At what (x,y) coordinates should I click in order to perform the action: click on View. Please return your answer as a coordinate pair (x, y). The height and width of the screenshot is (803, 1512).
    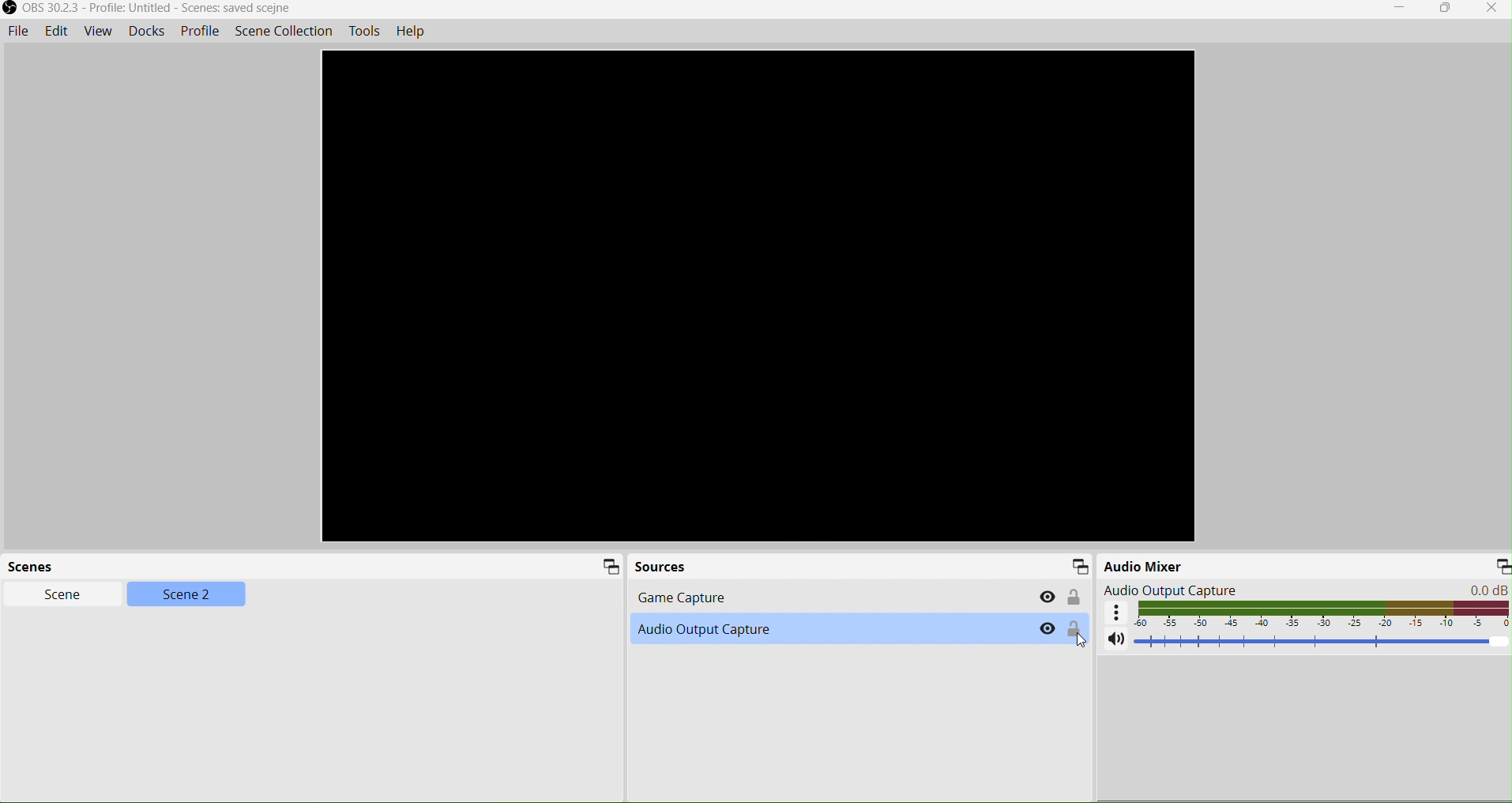
    Looking at the image, I should click on (98, 32).